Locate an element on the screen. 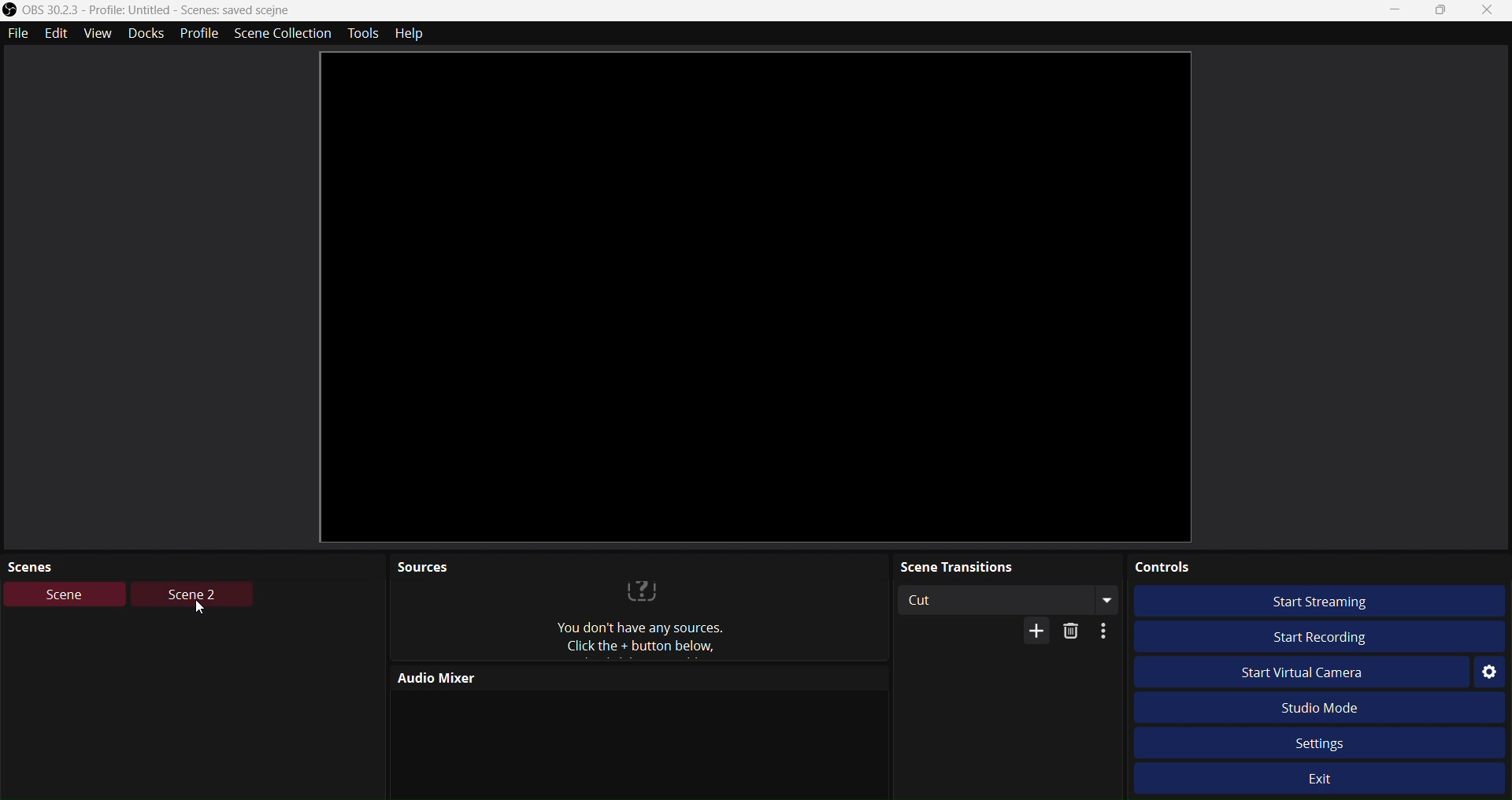 The height and width of the screenshot is (800, 1512). Close is located at coordinates (1490, 11).